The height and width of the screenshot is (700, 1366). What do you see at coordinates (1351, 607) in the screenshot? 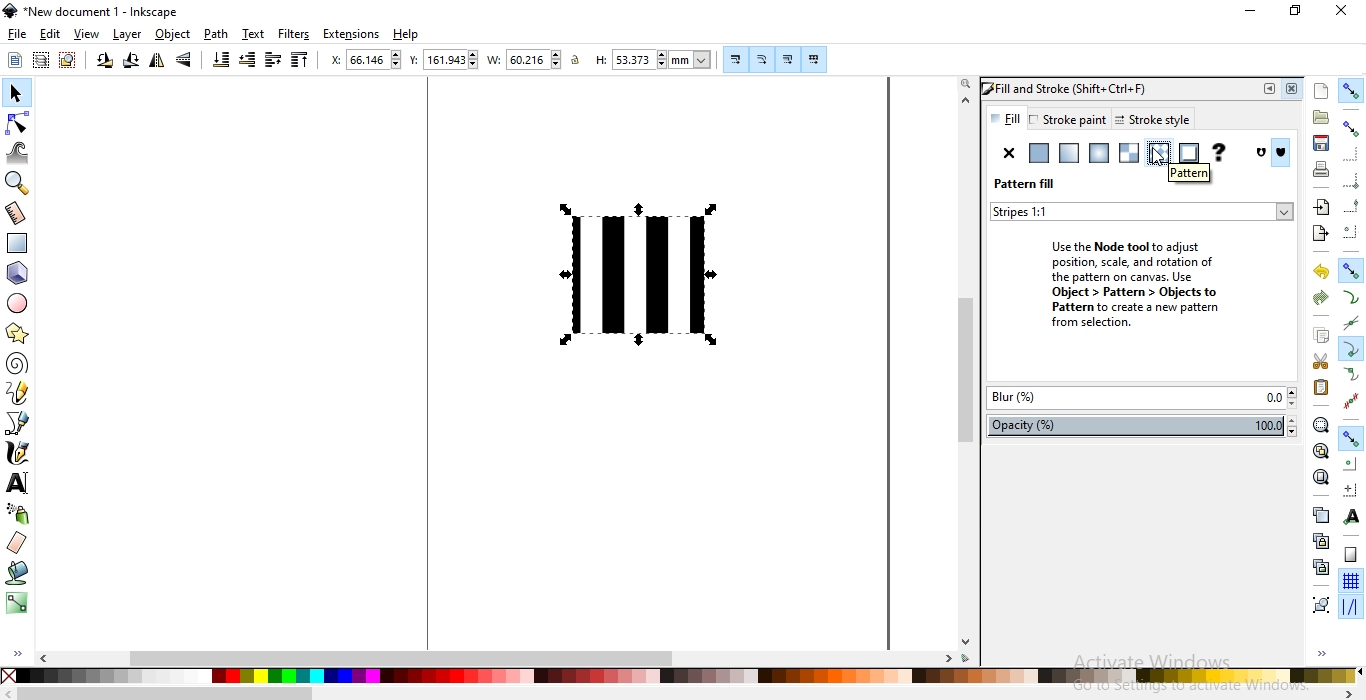
I see `snap guide` at bounding box center [1351, 607].